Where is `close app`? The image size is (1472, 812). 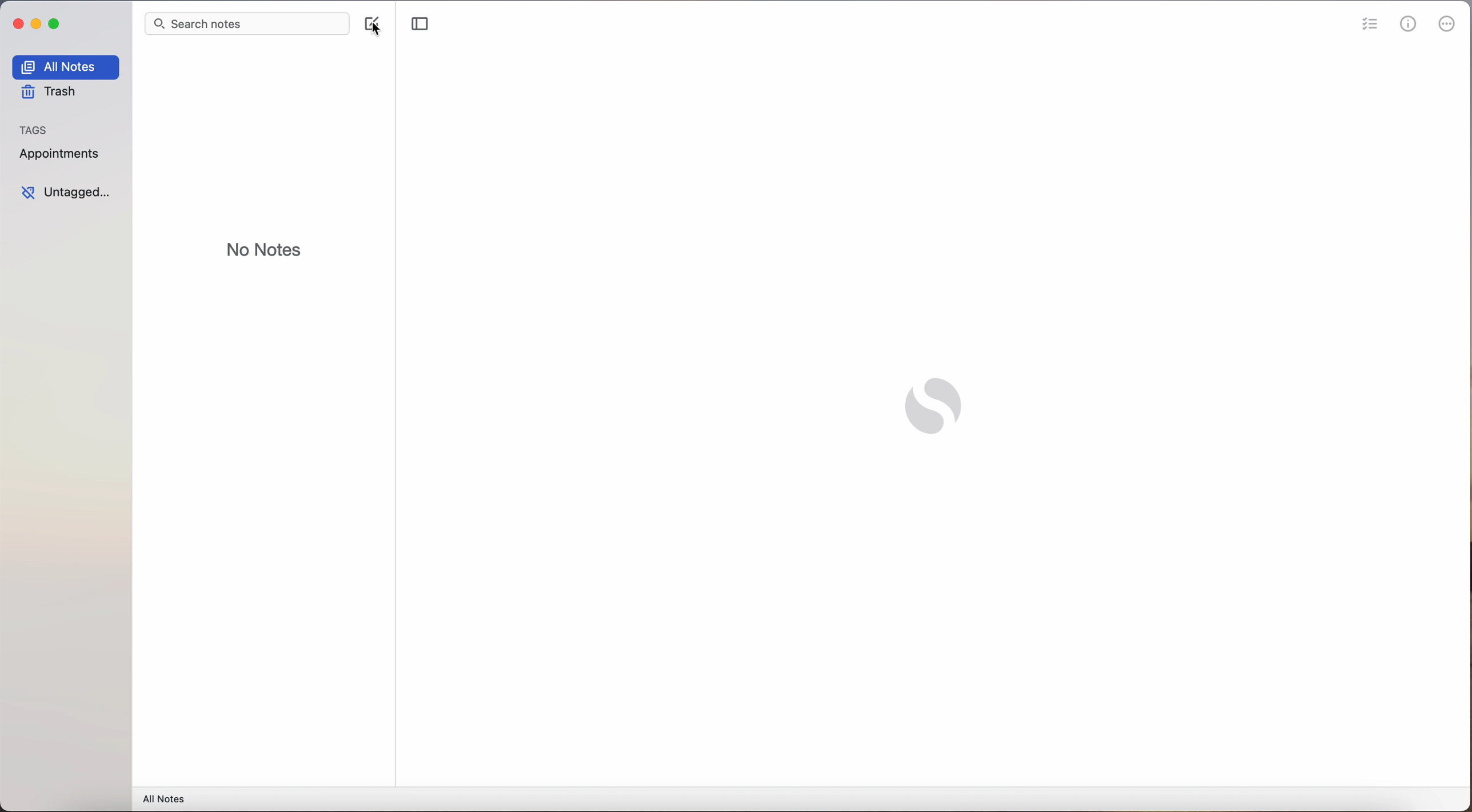
close app is located at coordinates (17, 26).